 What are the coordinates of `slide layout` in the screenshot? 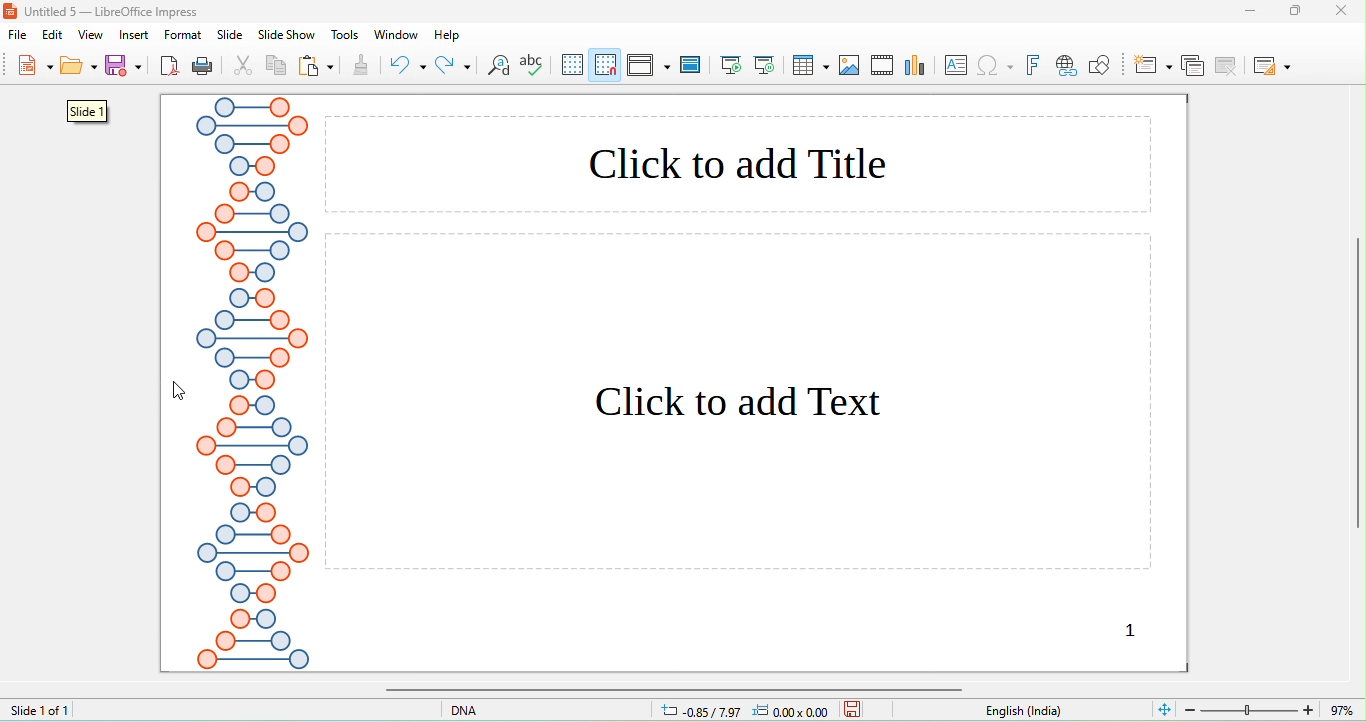 It's located at (1271, 65).